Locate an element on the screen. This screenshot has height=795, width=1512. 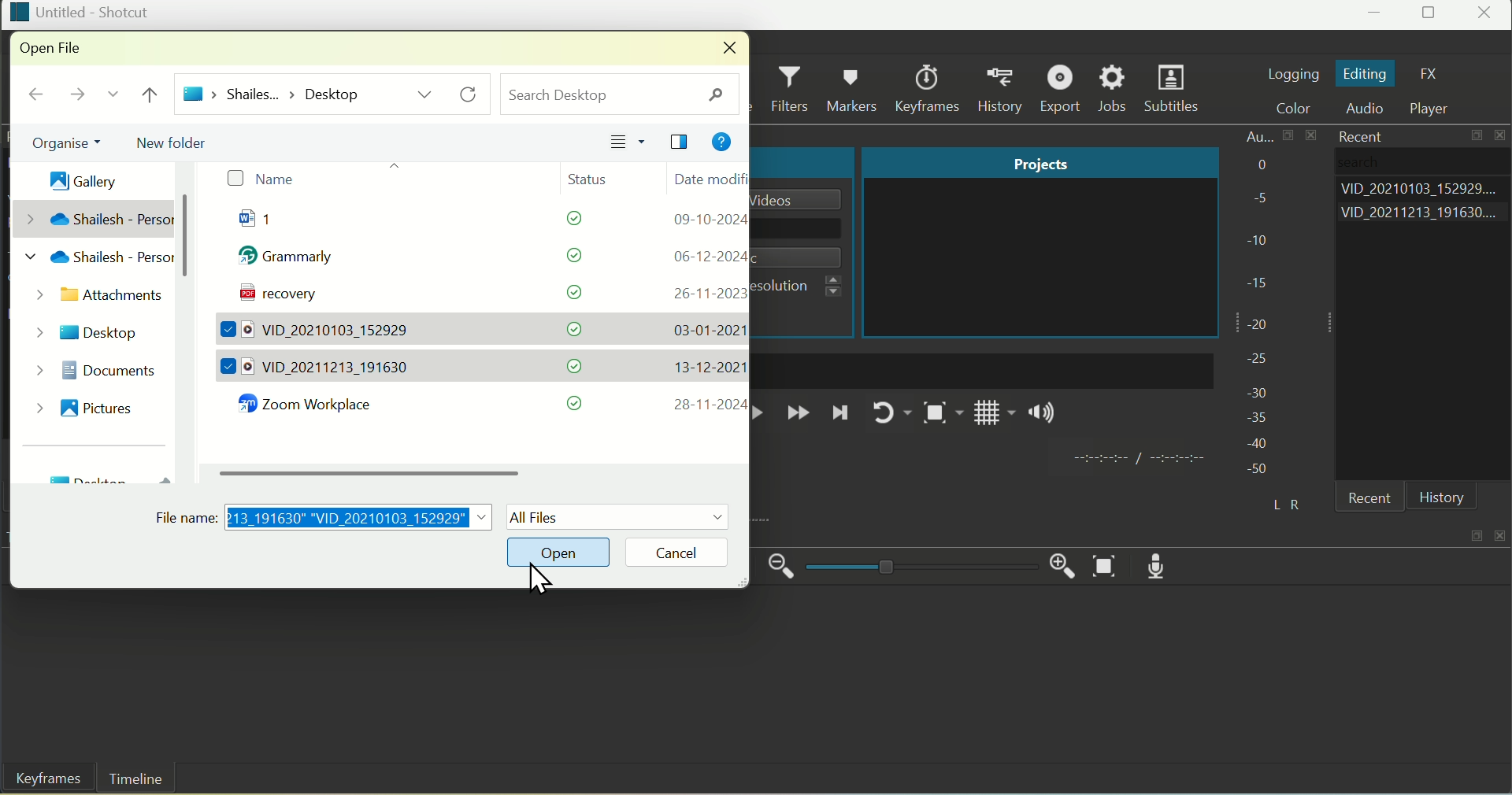
Desktop is located at coordinates (90, 329).